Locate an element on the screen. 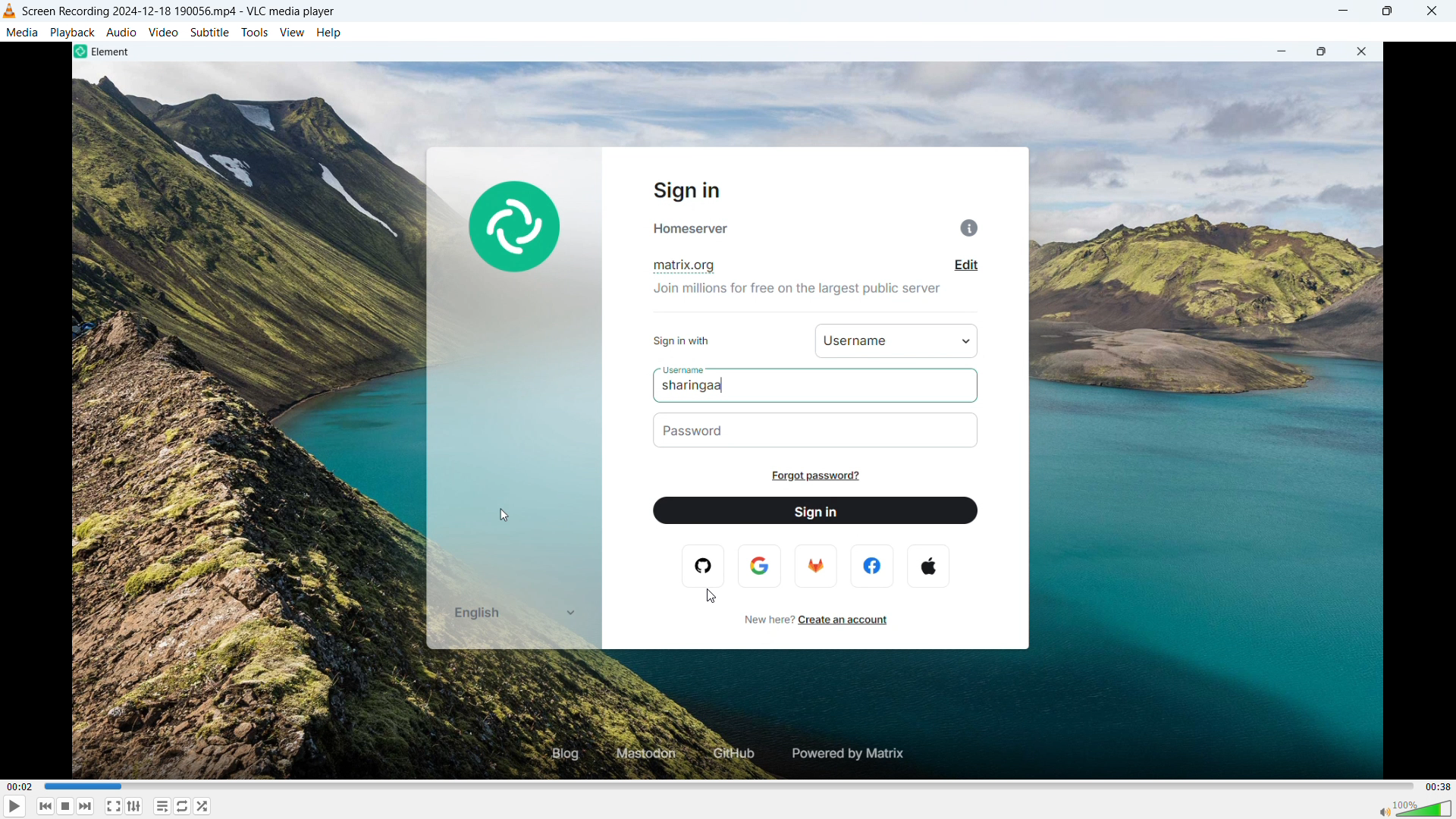  full screen is located at coordinates (114, 806).